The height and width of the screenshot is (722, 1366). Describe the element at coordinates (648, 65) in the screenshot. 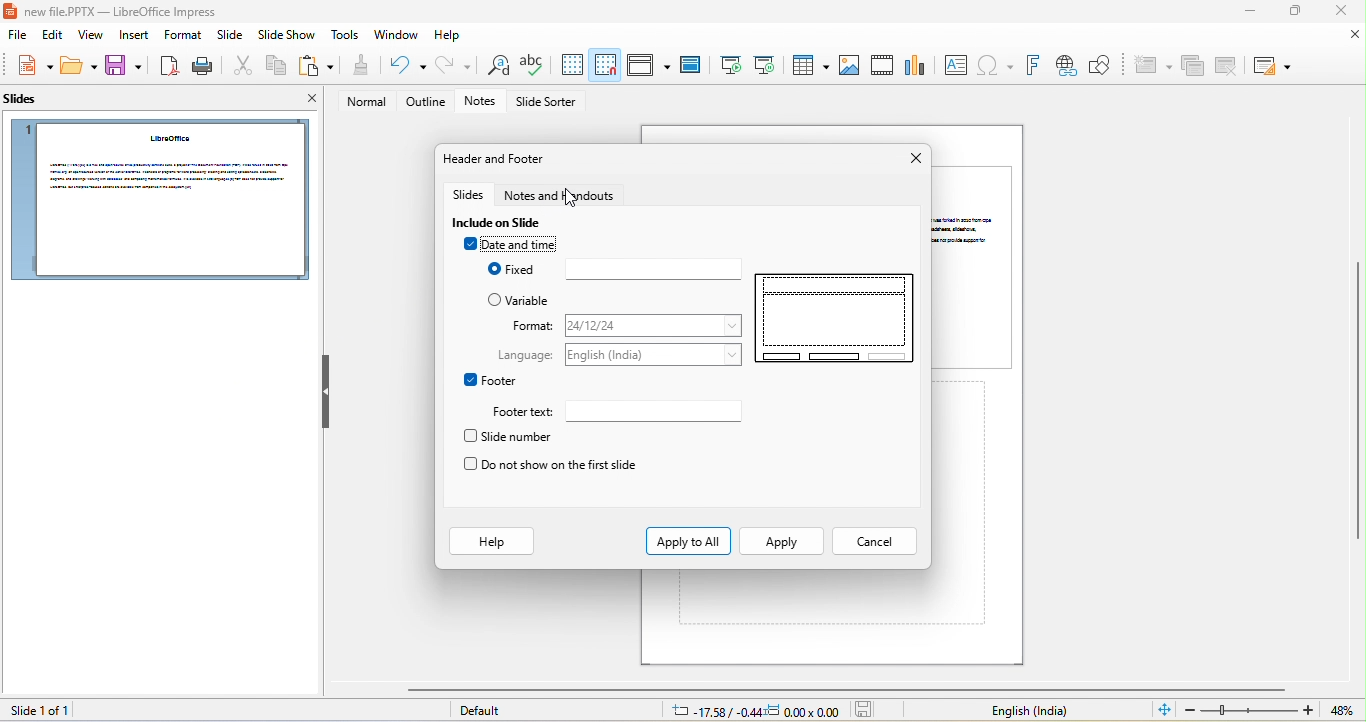

I see `display view` at that location.